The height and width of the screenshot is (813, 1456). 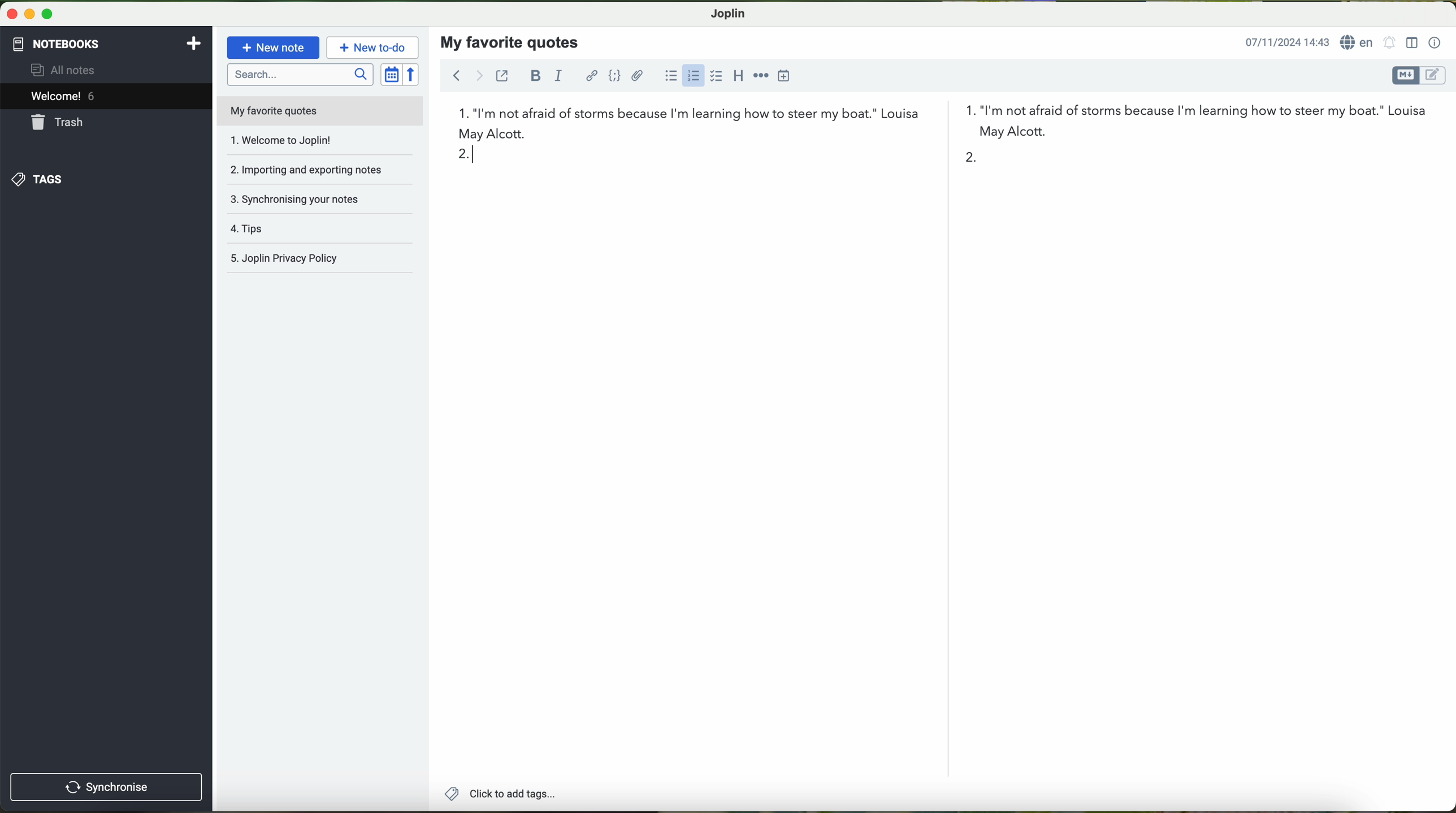 I want to click on checkbox, so click(x=716, y=77).